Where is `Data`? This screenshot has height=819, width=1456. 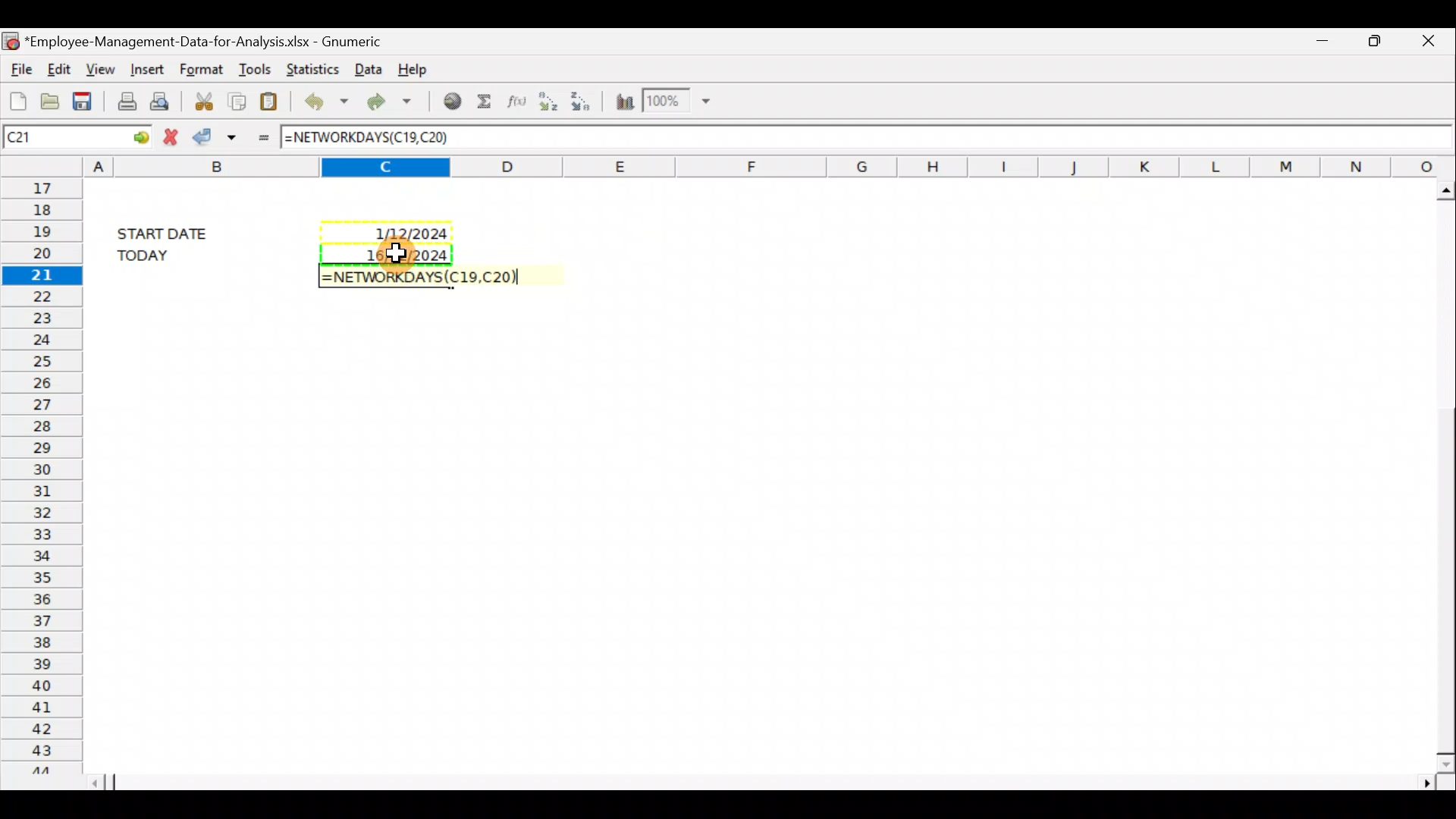
Data is located at coordinates (367, 70).